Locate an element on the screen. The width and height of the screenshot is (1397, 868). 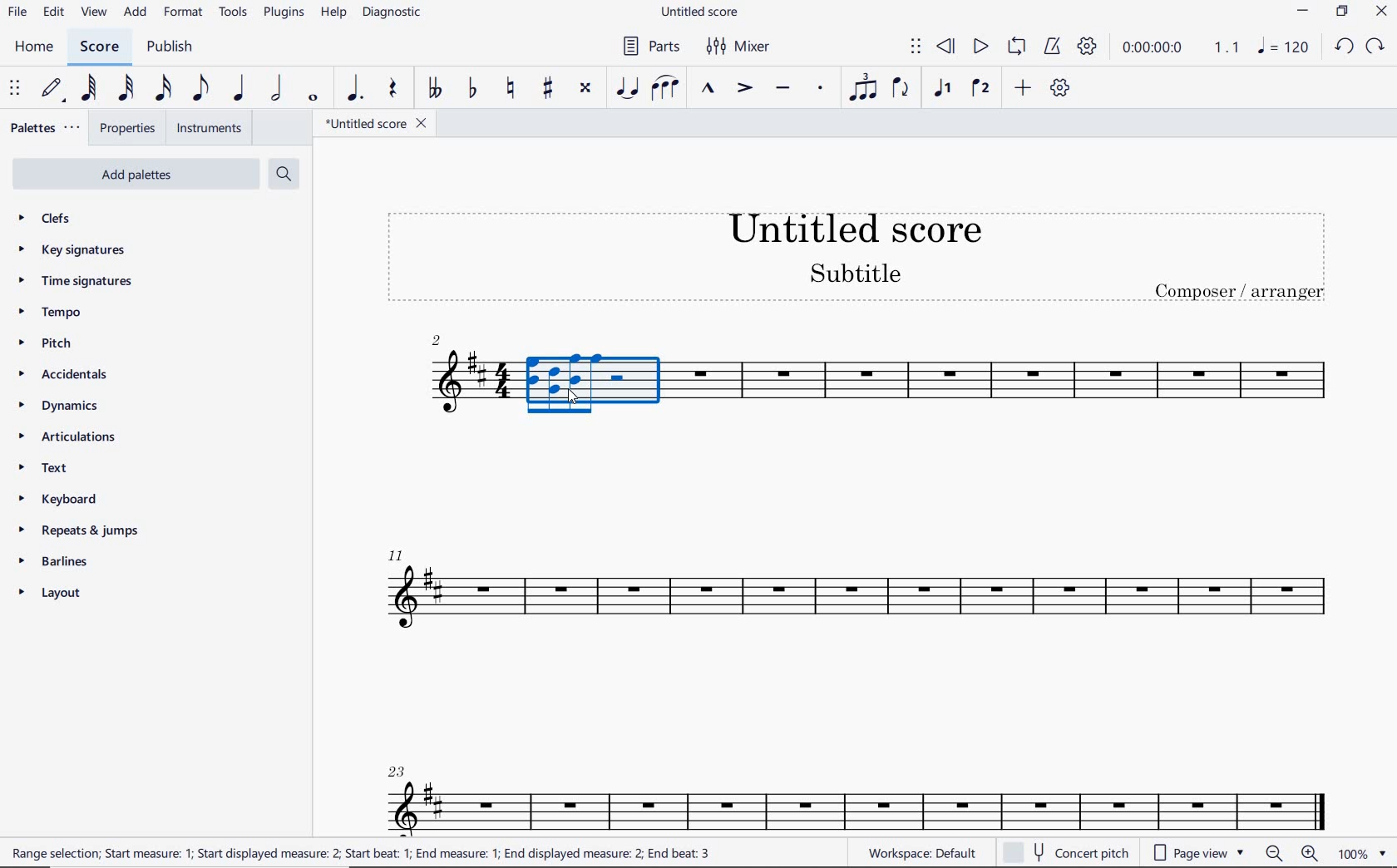
SELECT TO MOVE is located at coordinates (916, 47).